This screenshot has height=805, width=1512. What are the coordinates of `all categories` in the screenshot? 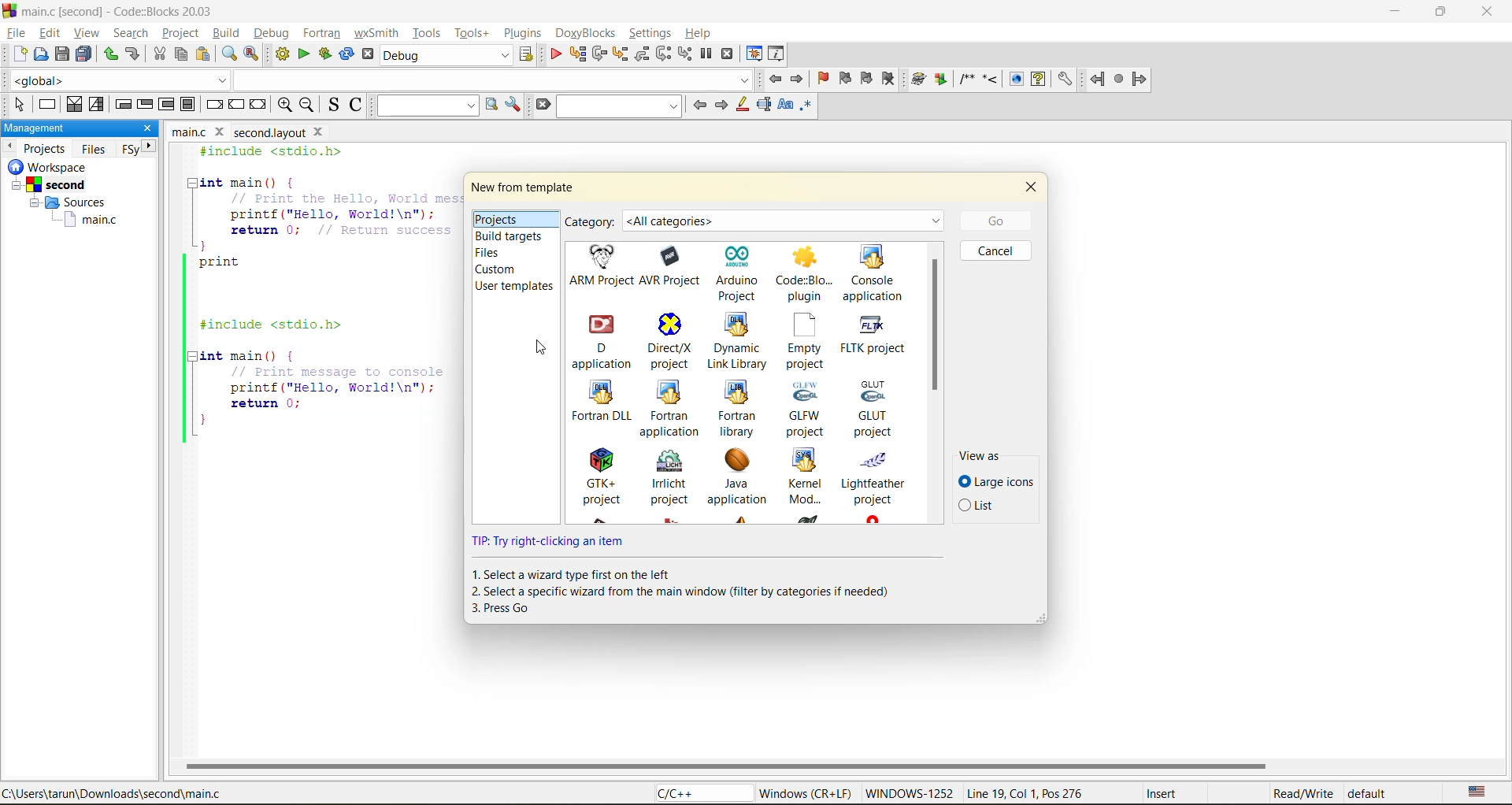 It's located at (787, 217).